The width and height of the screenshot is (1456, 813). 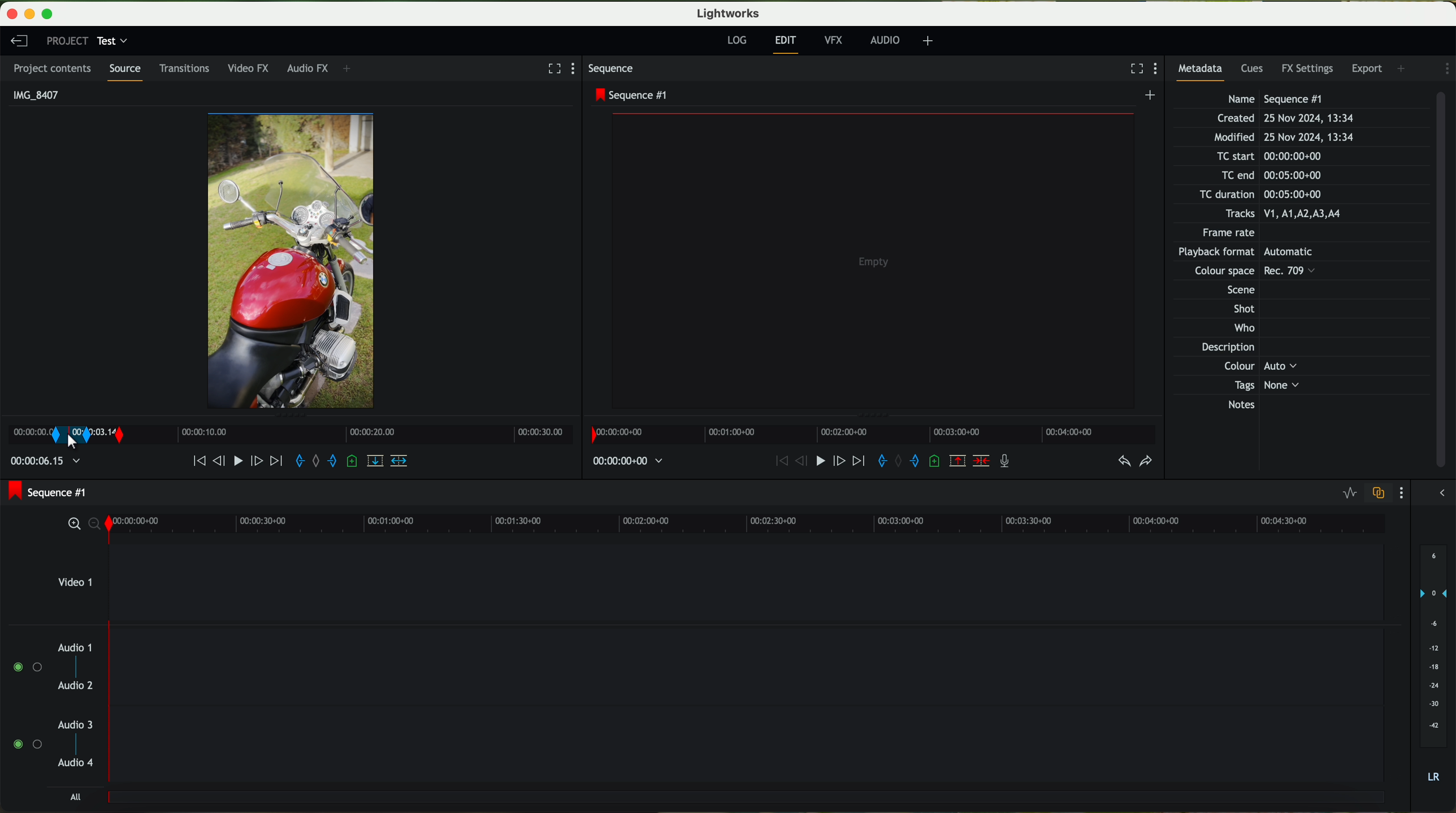 What do you see at coordinates (700, 581) in the screenshot?
I see `video 1` at bounding box center [700, 581].